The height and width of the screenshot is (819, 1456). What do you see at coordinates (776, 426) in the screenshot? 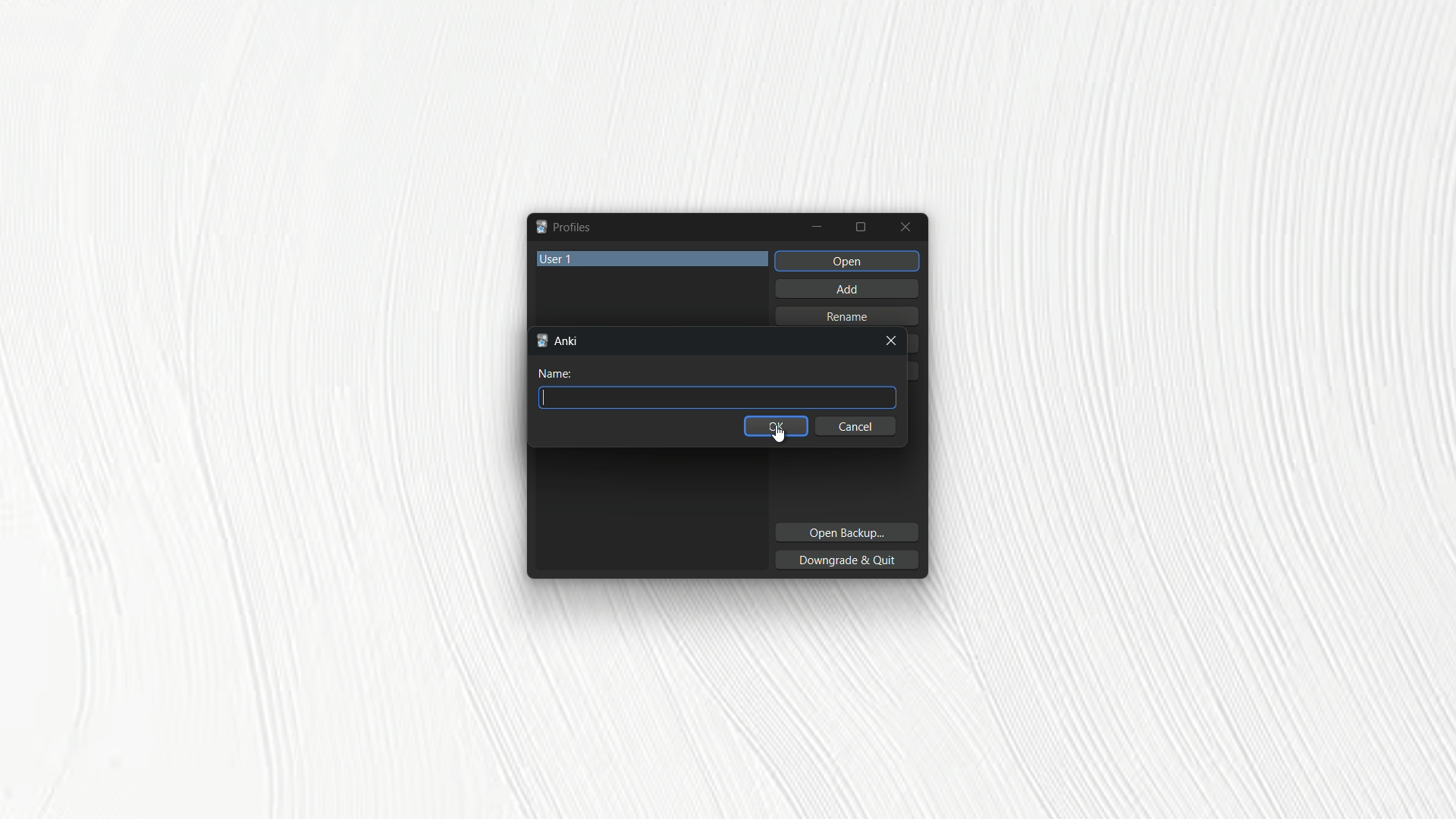
I see `ok` at bounding box center [776, 426].